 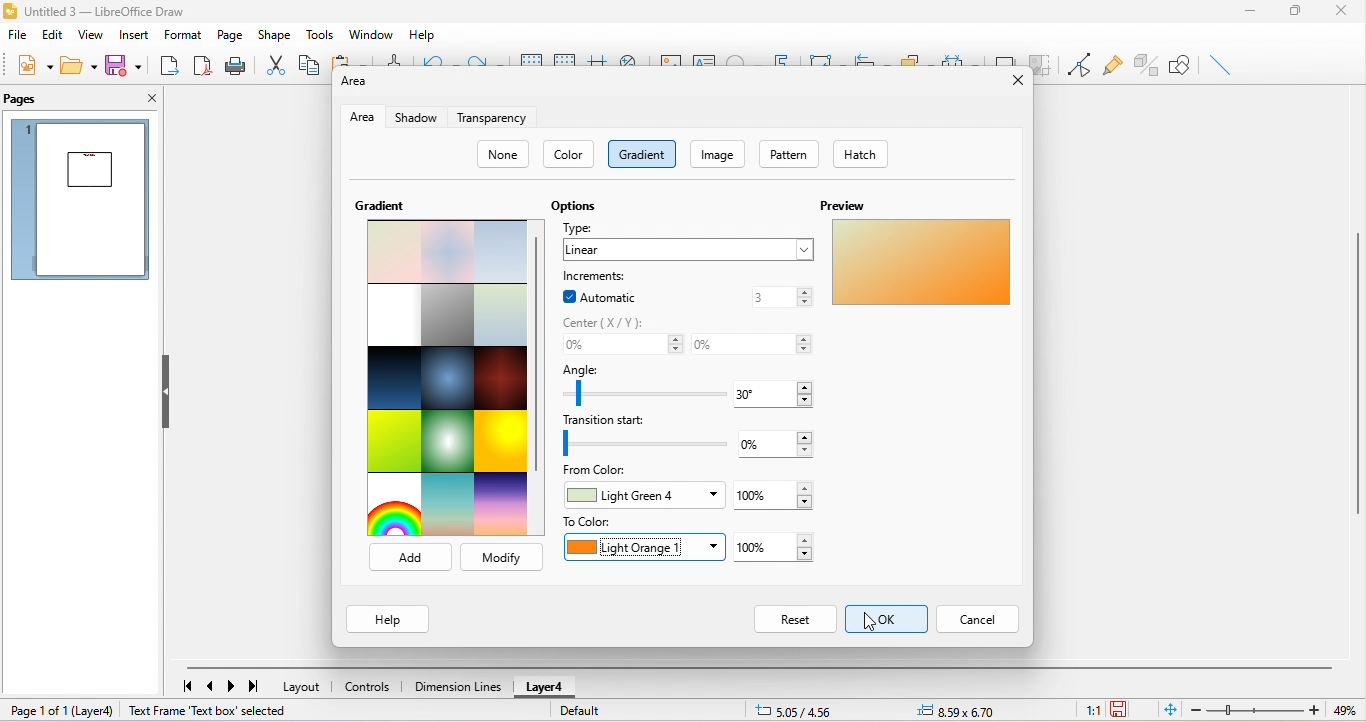 What do you see at coordinates (1185, 65) in the screenshot?
I see `show draw function` at bounding box center [1185, 65].